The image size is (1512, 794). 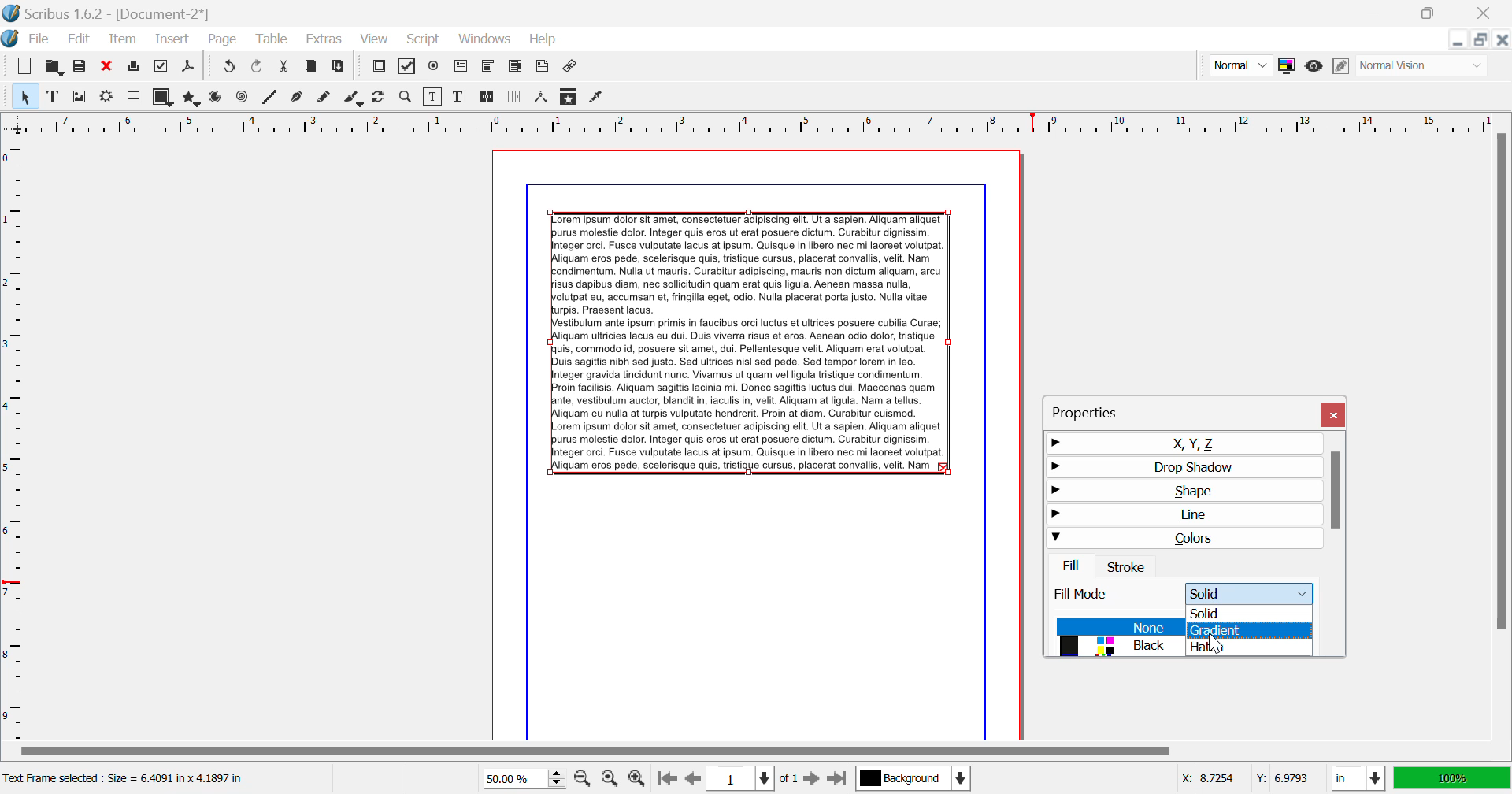 I want to click on Pdf Push Button, so click(x=379, y=68).